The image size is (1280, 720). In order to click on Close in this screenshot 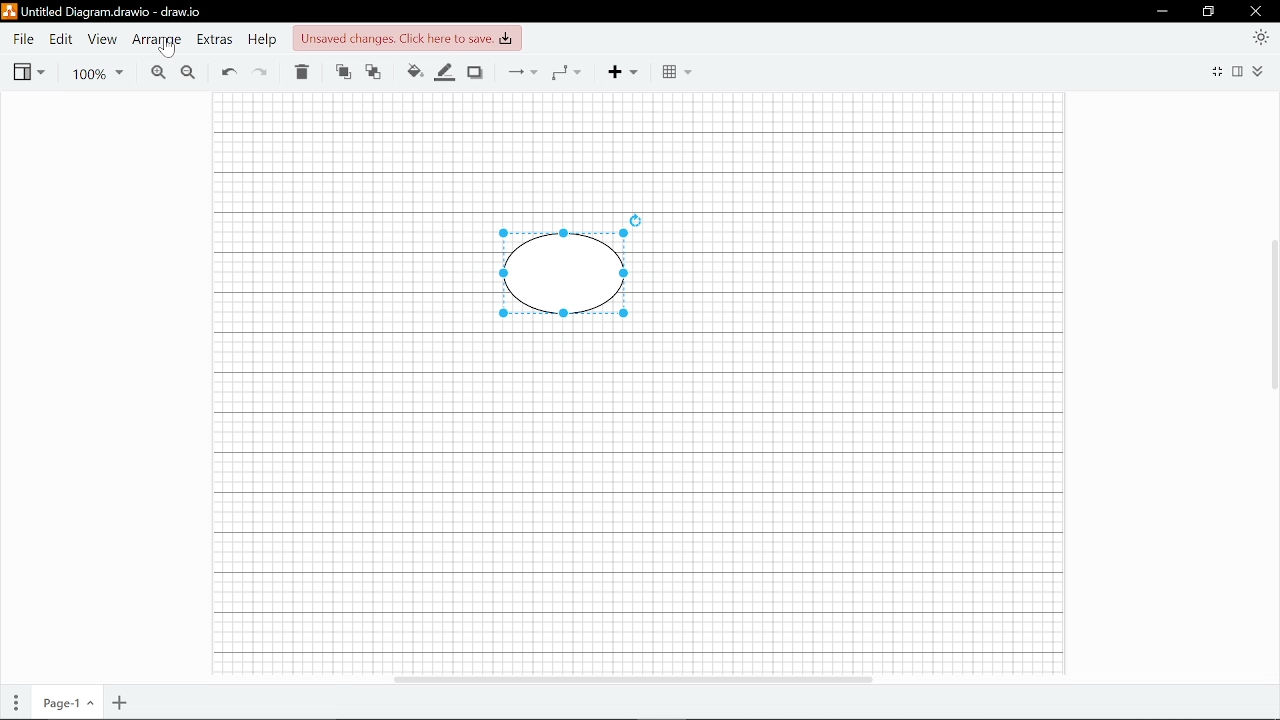, I will do `click(1256, 11)`.